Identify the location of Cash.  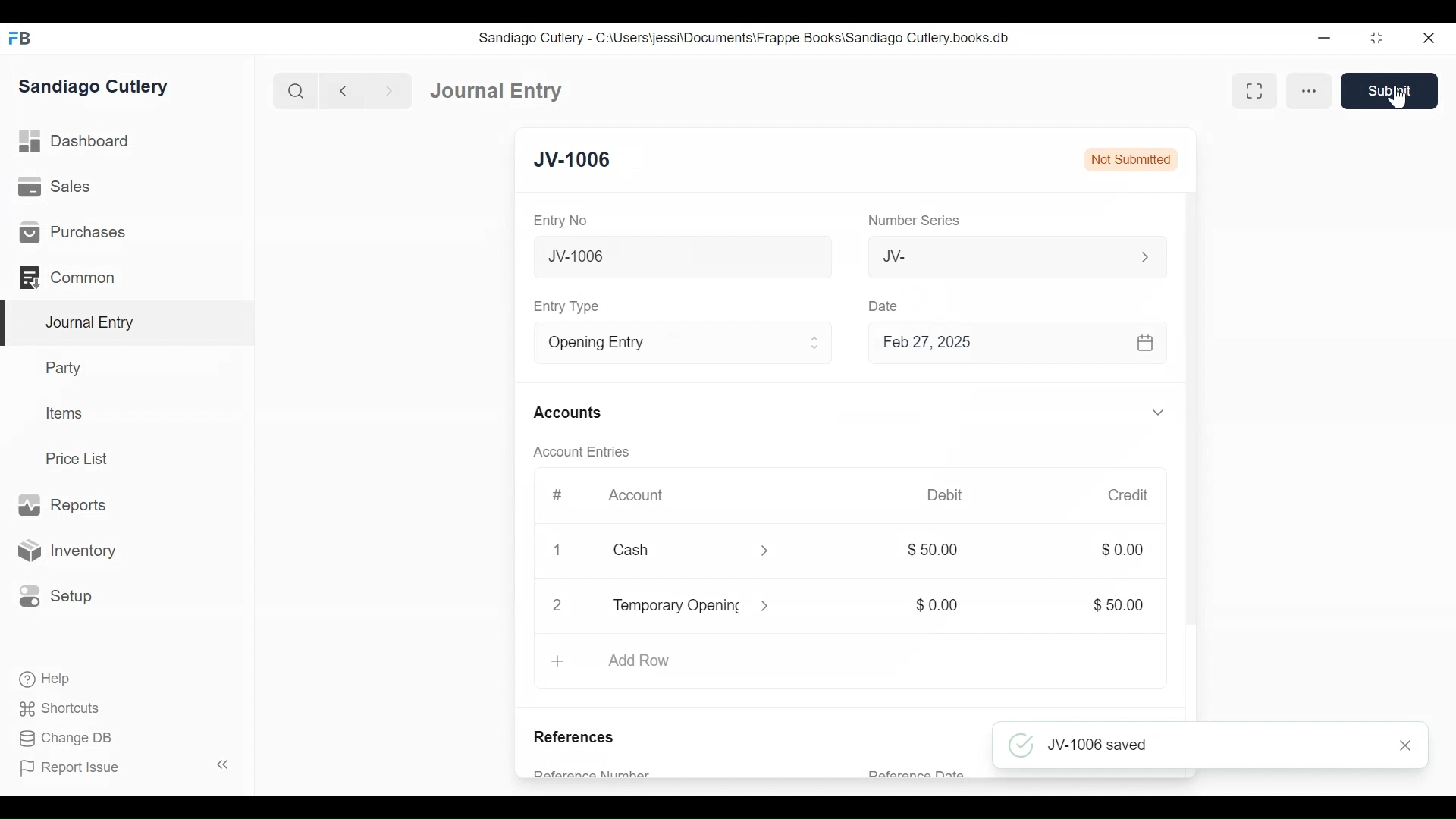
(673, 550).